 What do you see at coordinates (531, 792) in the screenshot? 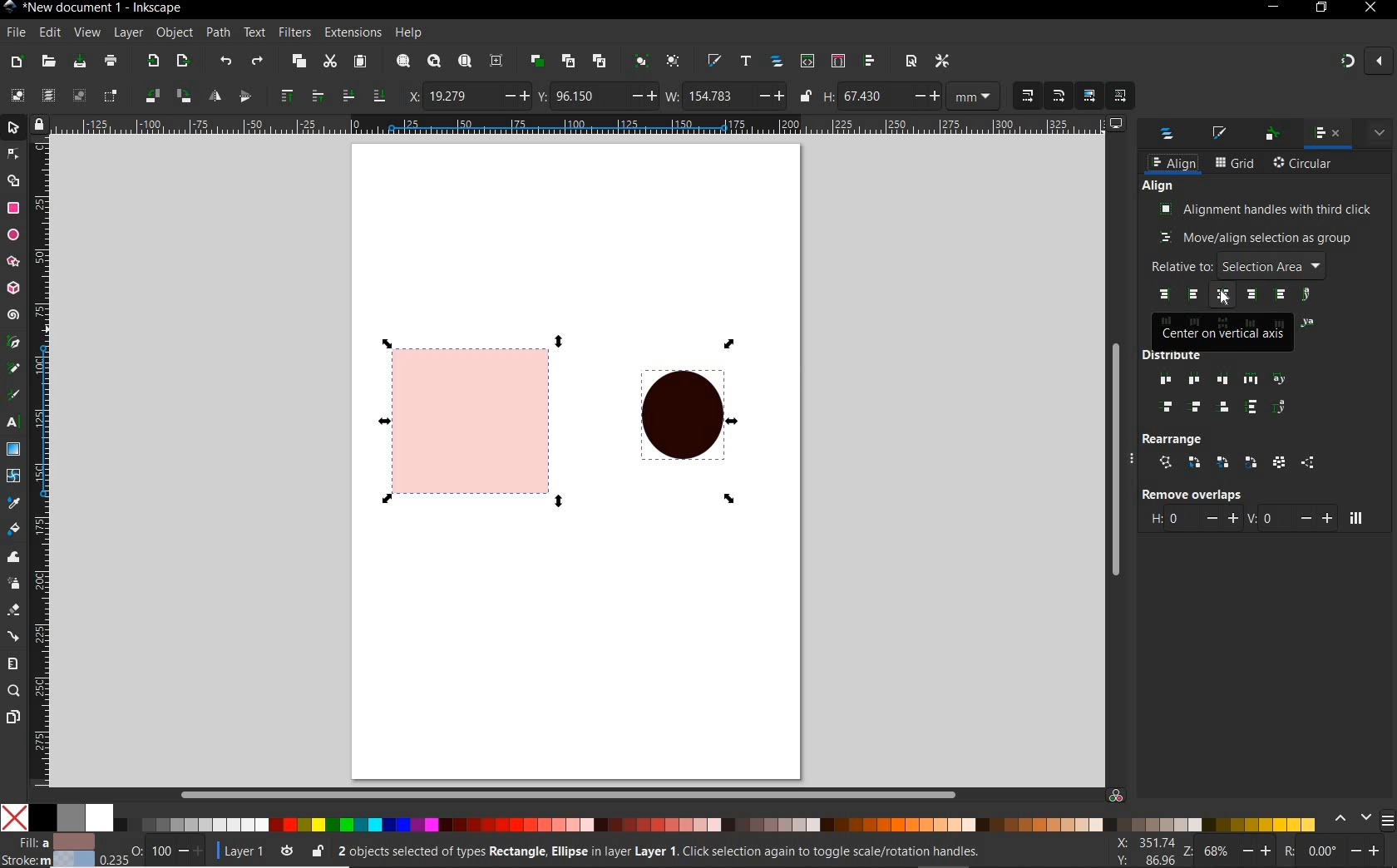
I see `scrollbar` at bounding box center [531, 792].